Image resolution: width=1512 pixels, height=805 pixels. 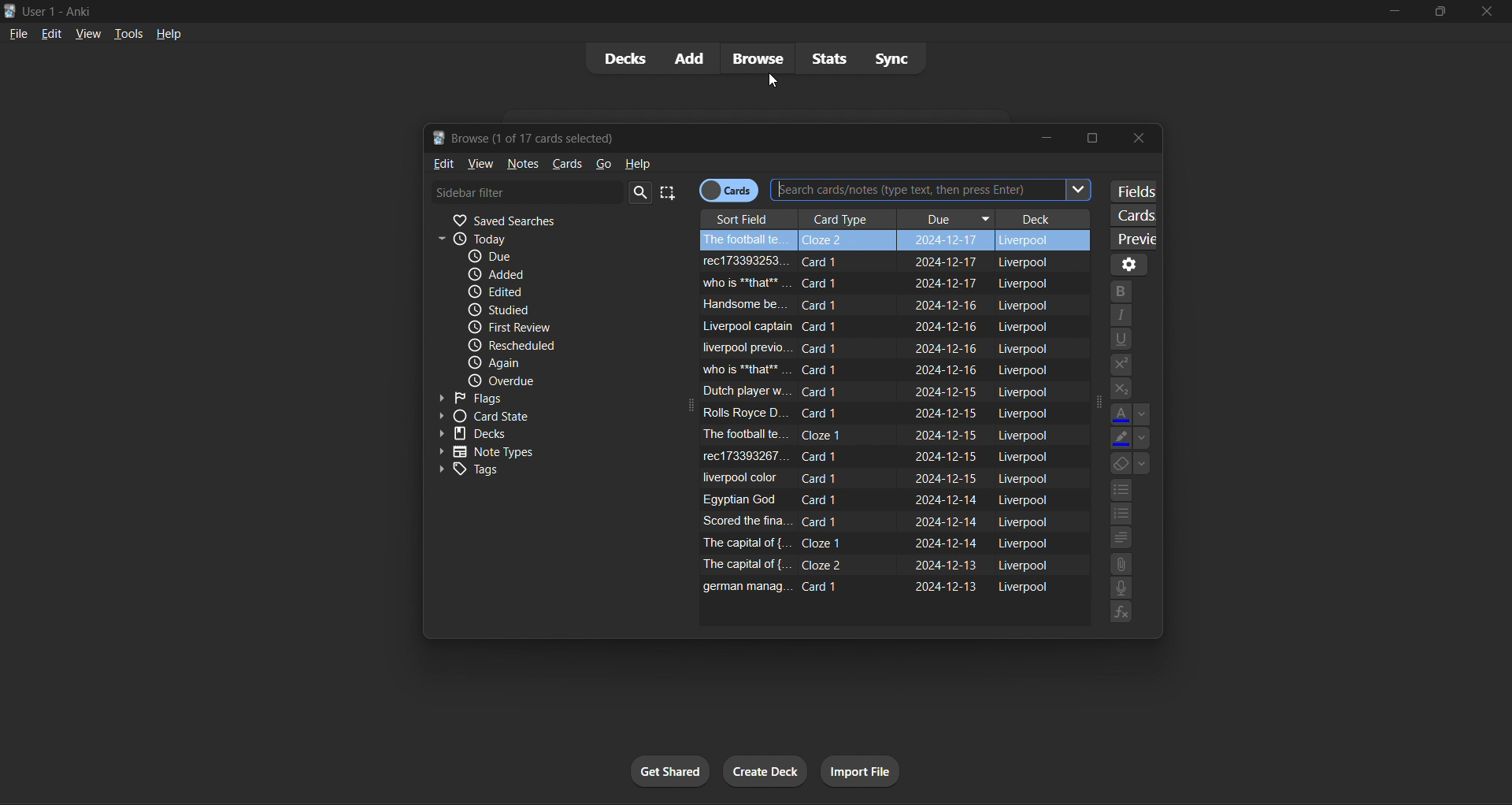 I want to click on create deck, so click(x=765, y=773).